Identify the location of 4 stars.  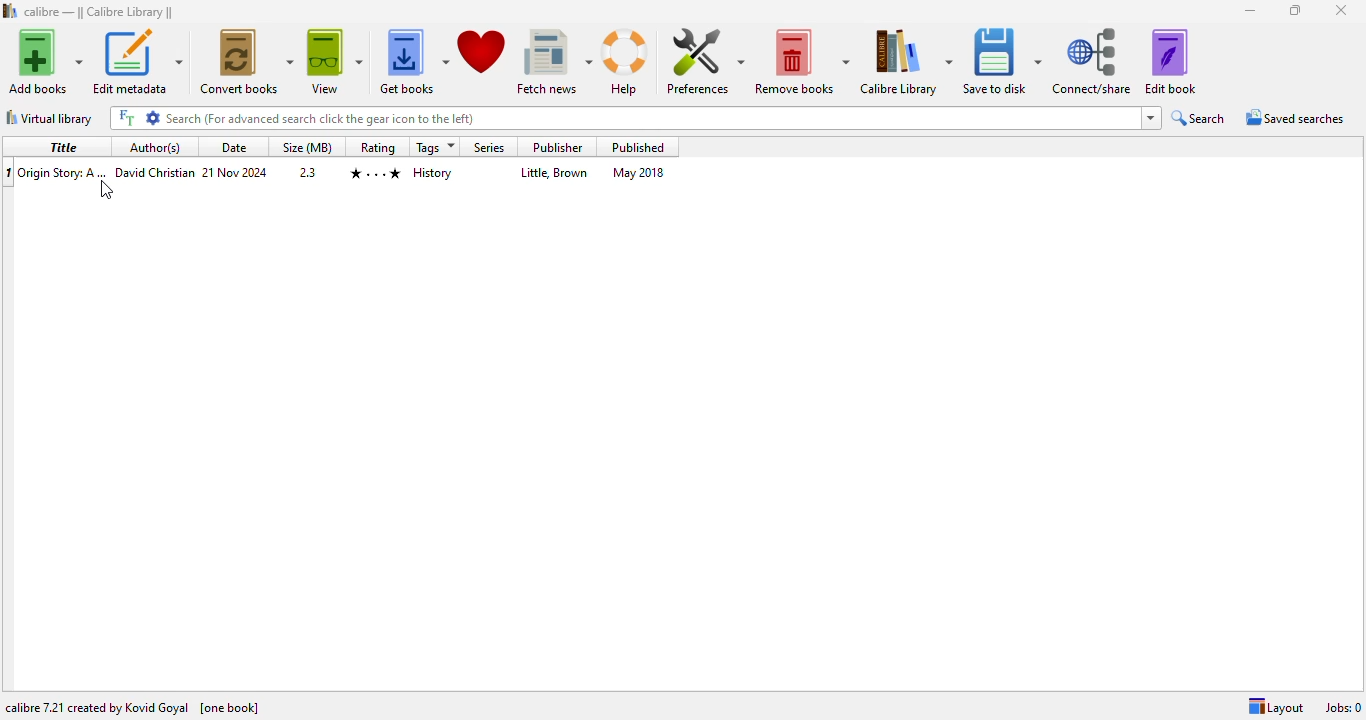
(375, 173).